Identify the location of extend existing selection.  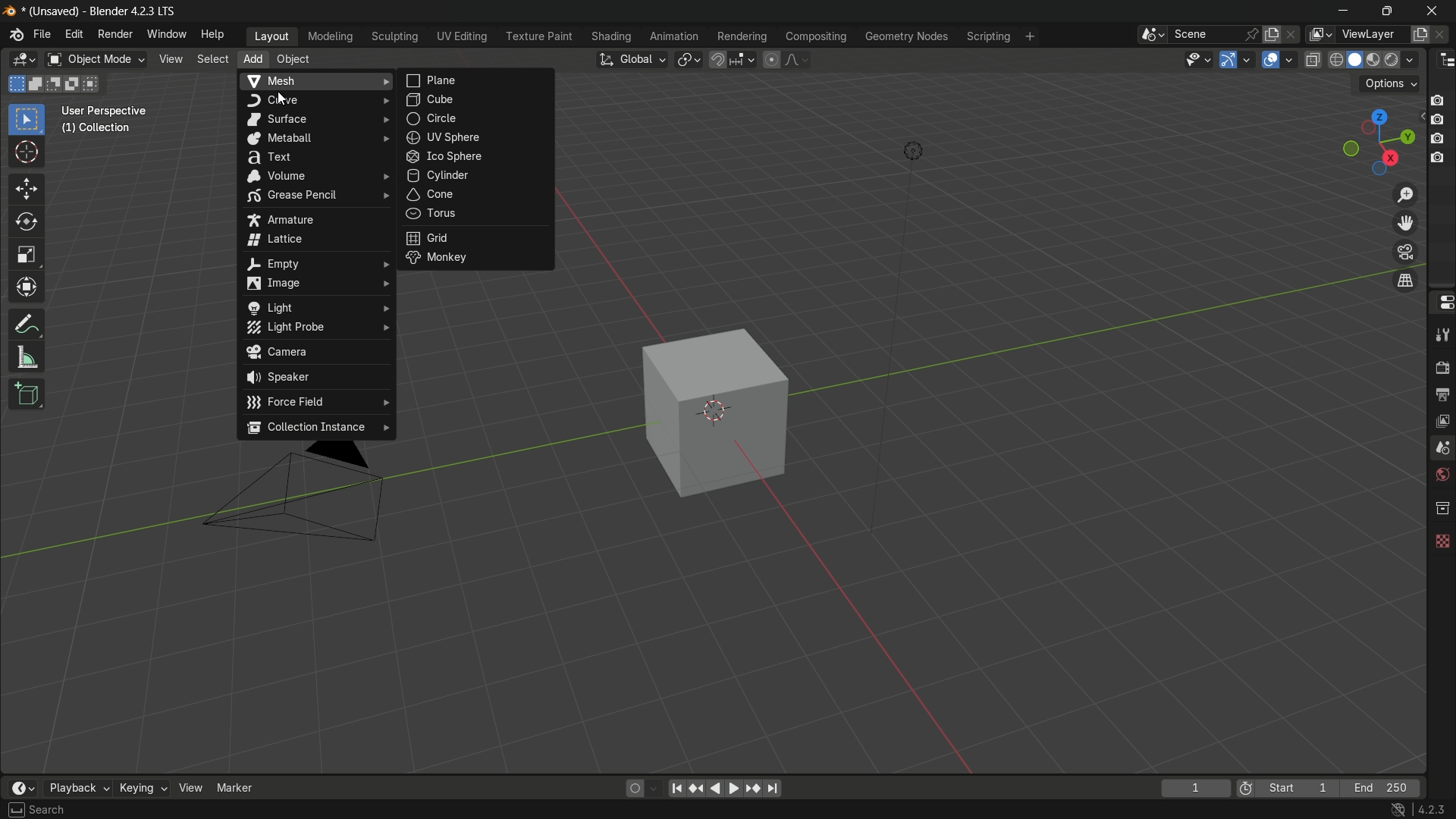
(36, 85).